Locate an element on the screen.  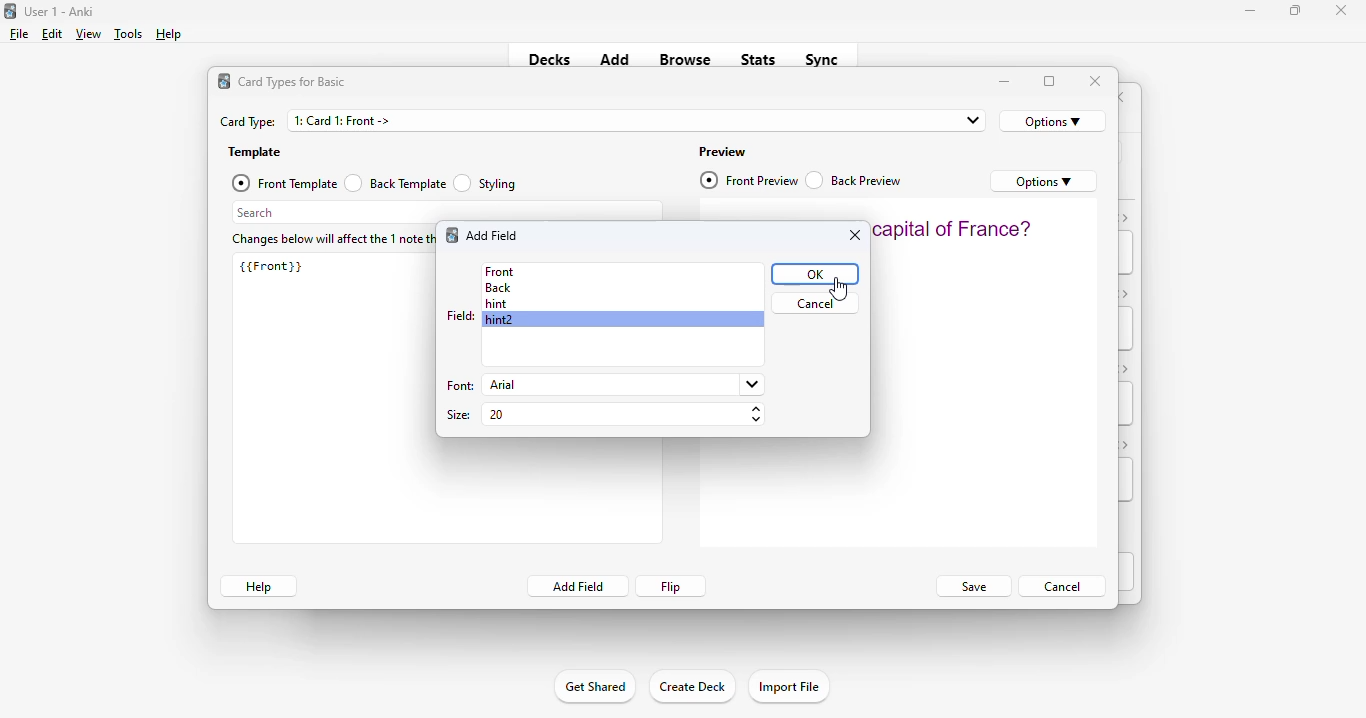
save is located at coordinates (972, 587).